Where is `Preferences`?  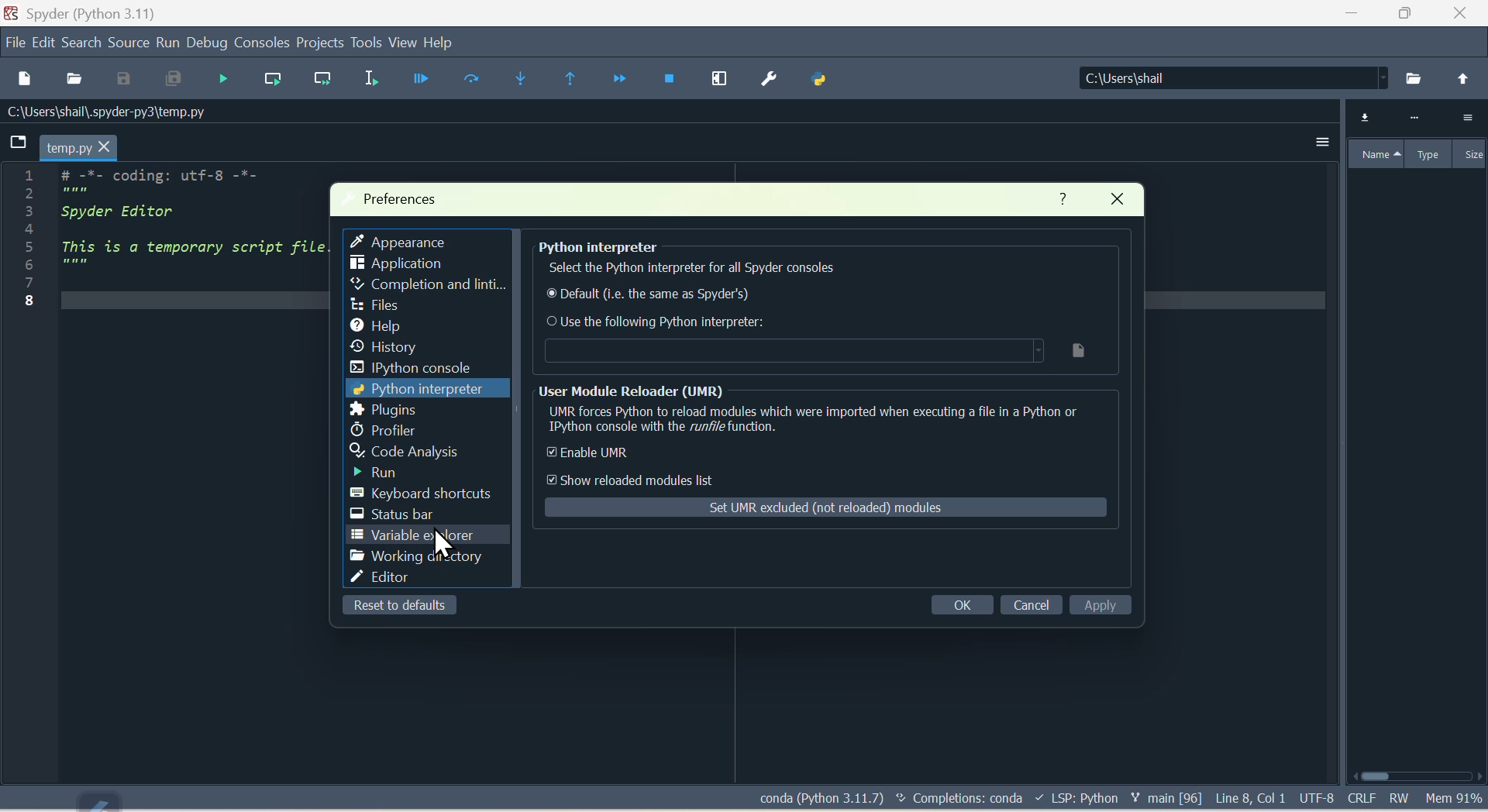 Preferences is located at coordinates (771, 78).